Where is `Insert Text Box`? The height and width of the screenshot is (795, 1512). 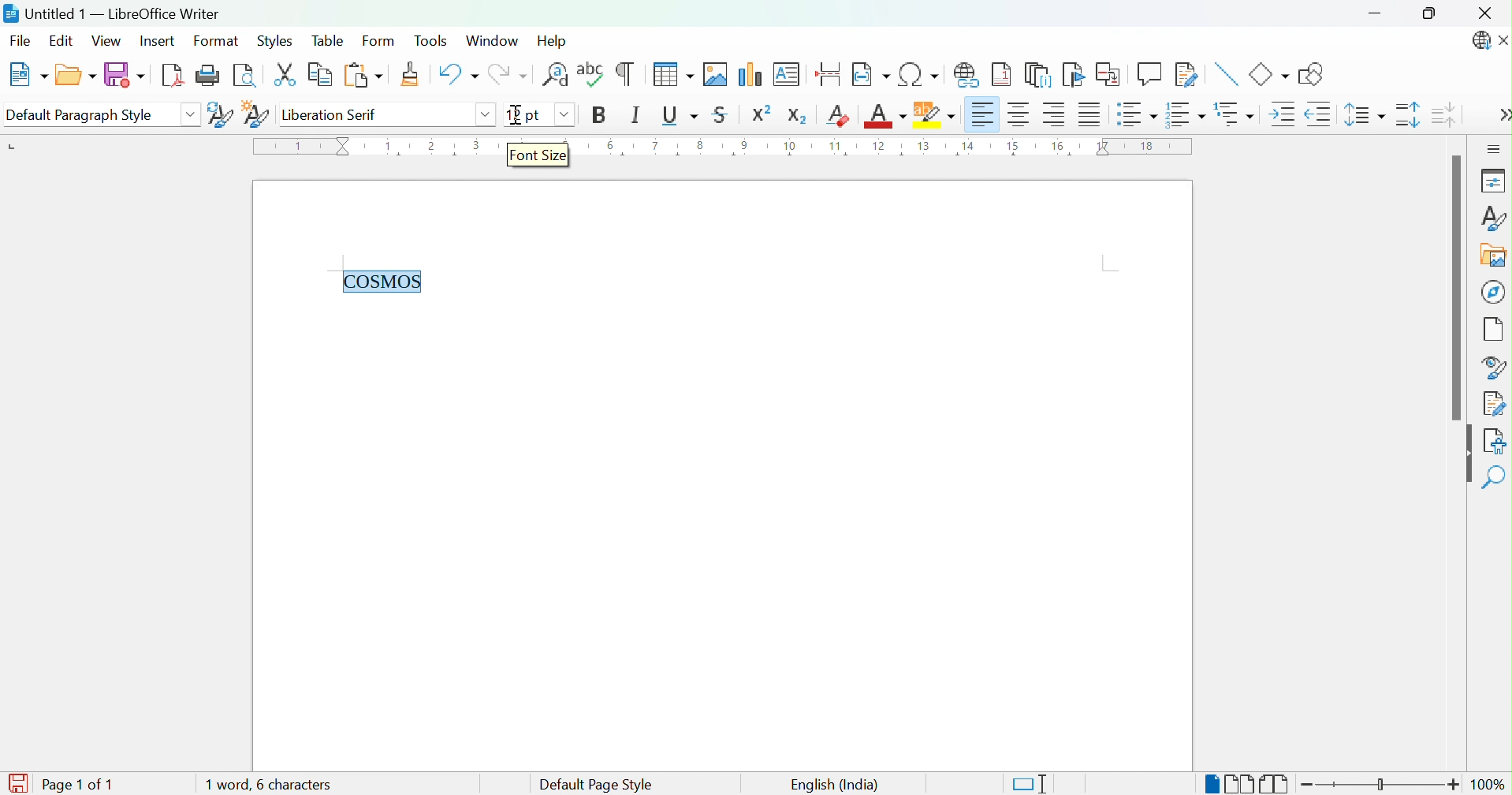 Insert Text Box is located at coordinates (788, 72).